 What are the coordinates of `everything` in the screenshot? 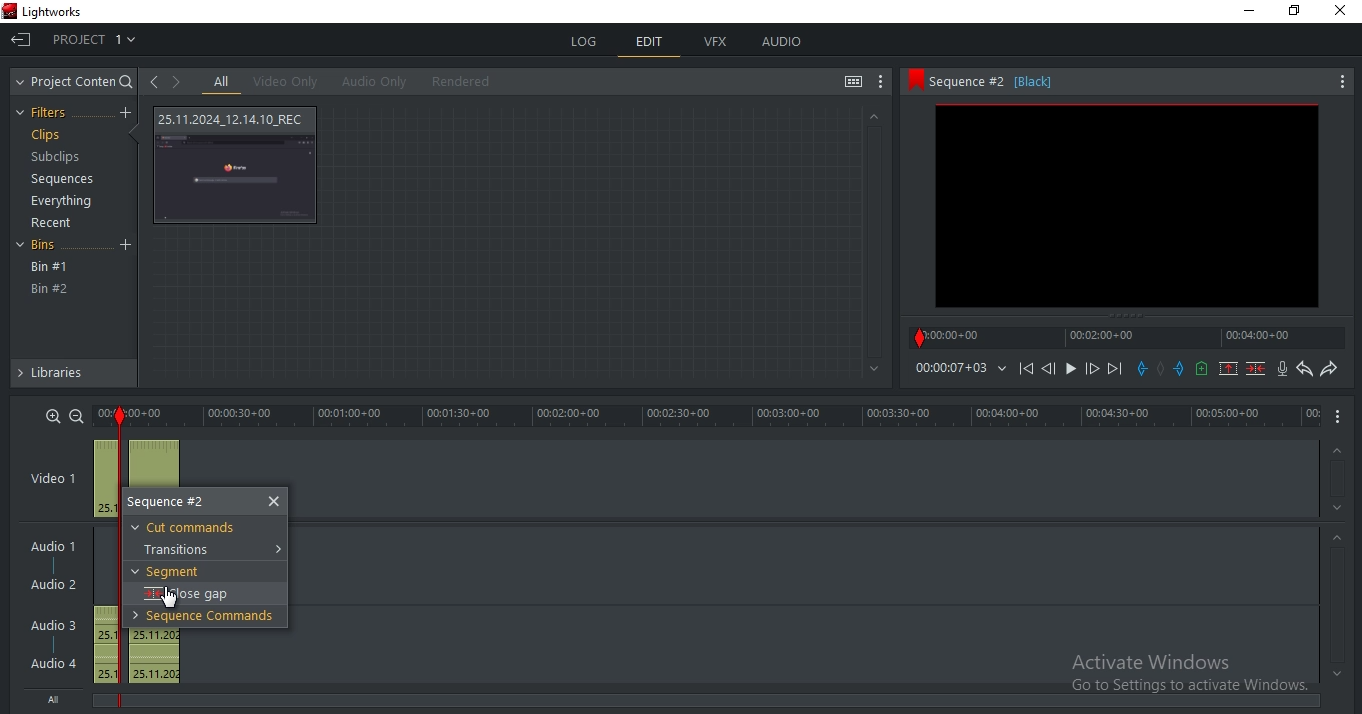 It's located at (65, 200).